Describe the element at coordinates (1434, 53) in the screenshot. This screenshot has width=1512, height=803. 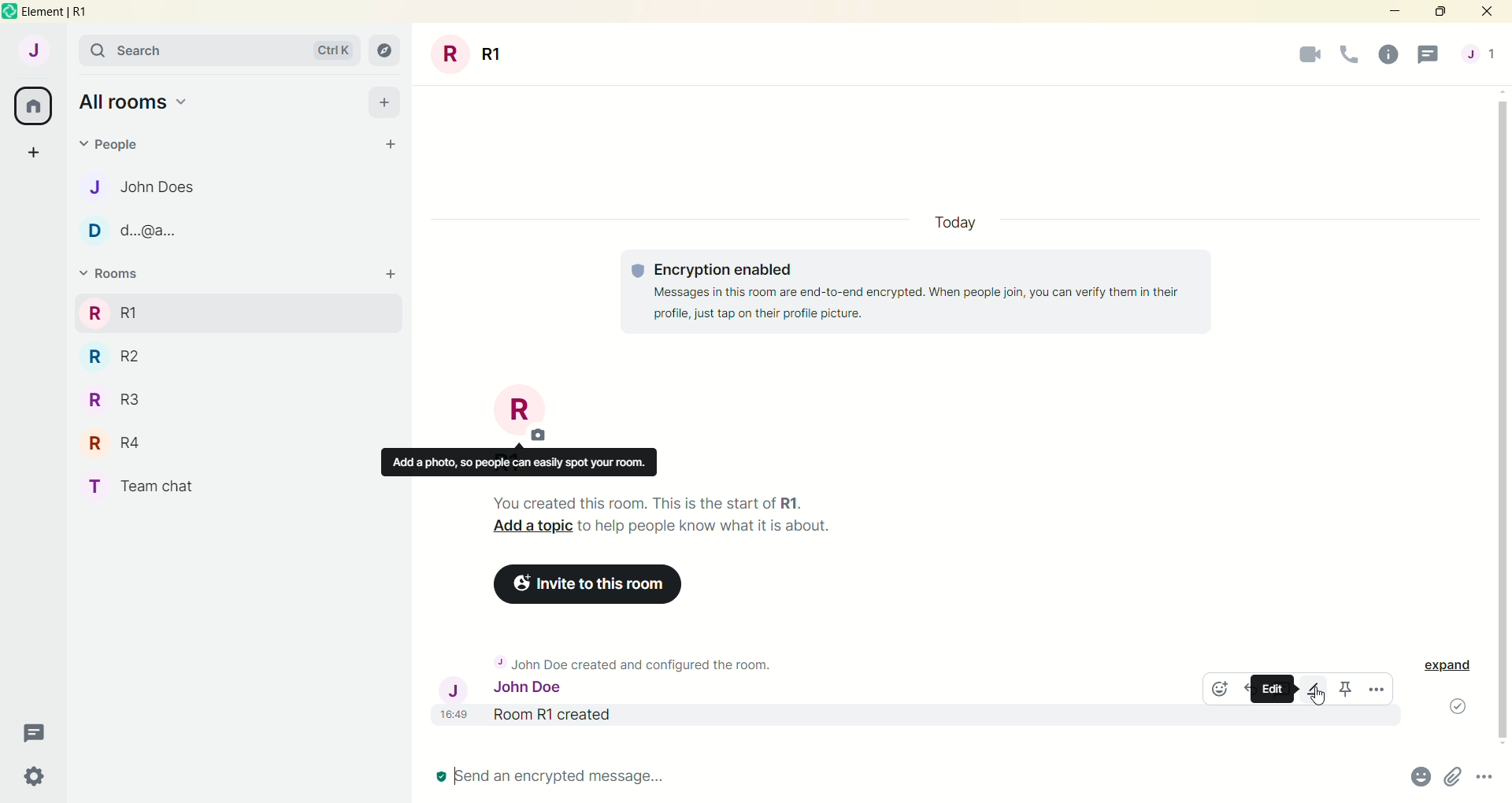
I see `threads` at that location.